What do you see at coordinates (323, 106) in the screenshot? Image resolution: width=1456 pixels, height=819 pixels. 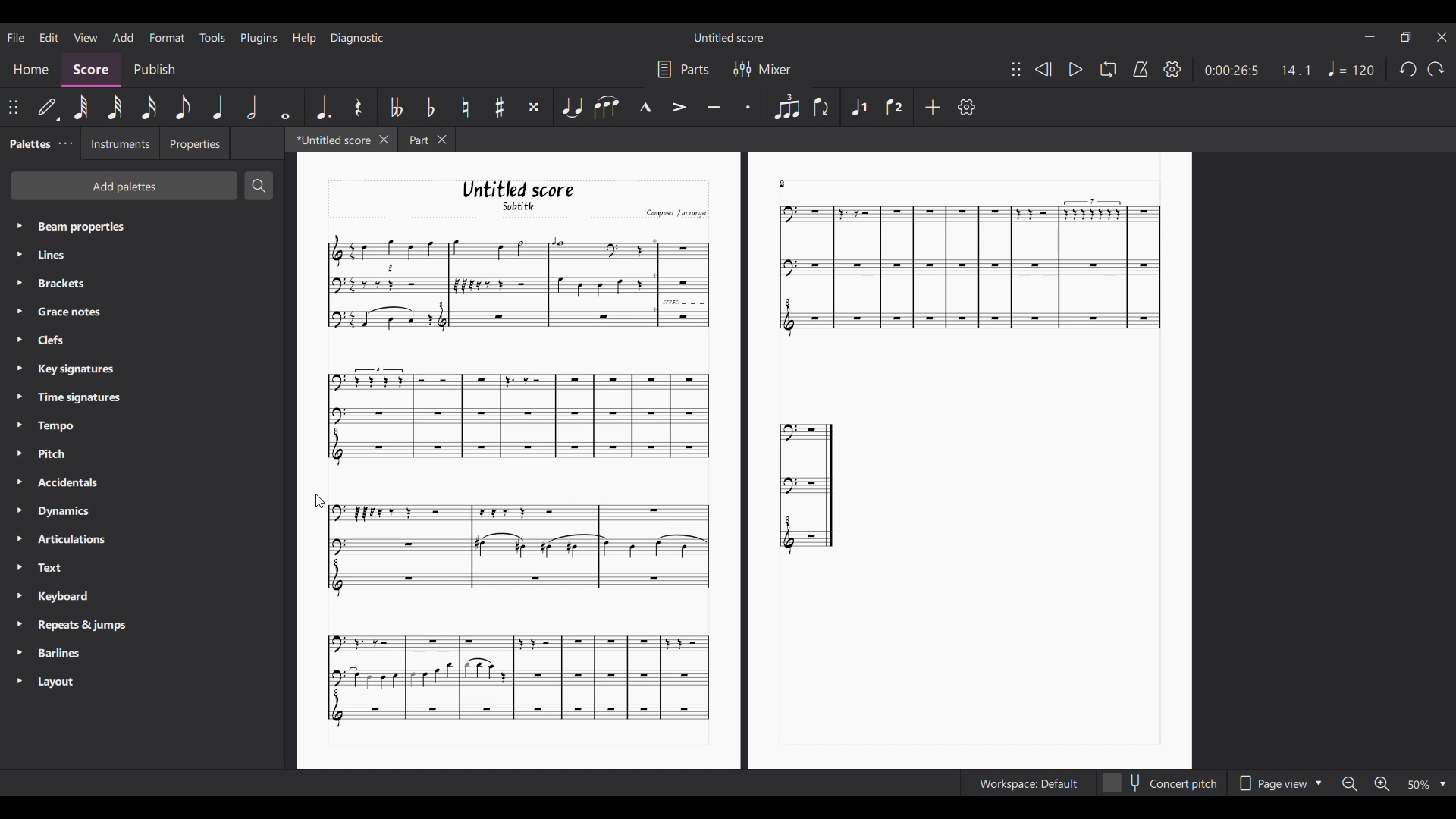 I see `Augmentation dot` at bounding box center [323, 106].